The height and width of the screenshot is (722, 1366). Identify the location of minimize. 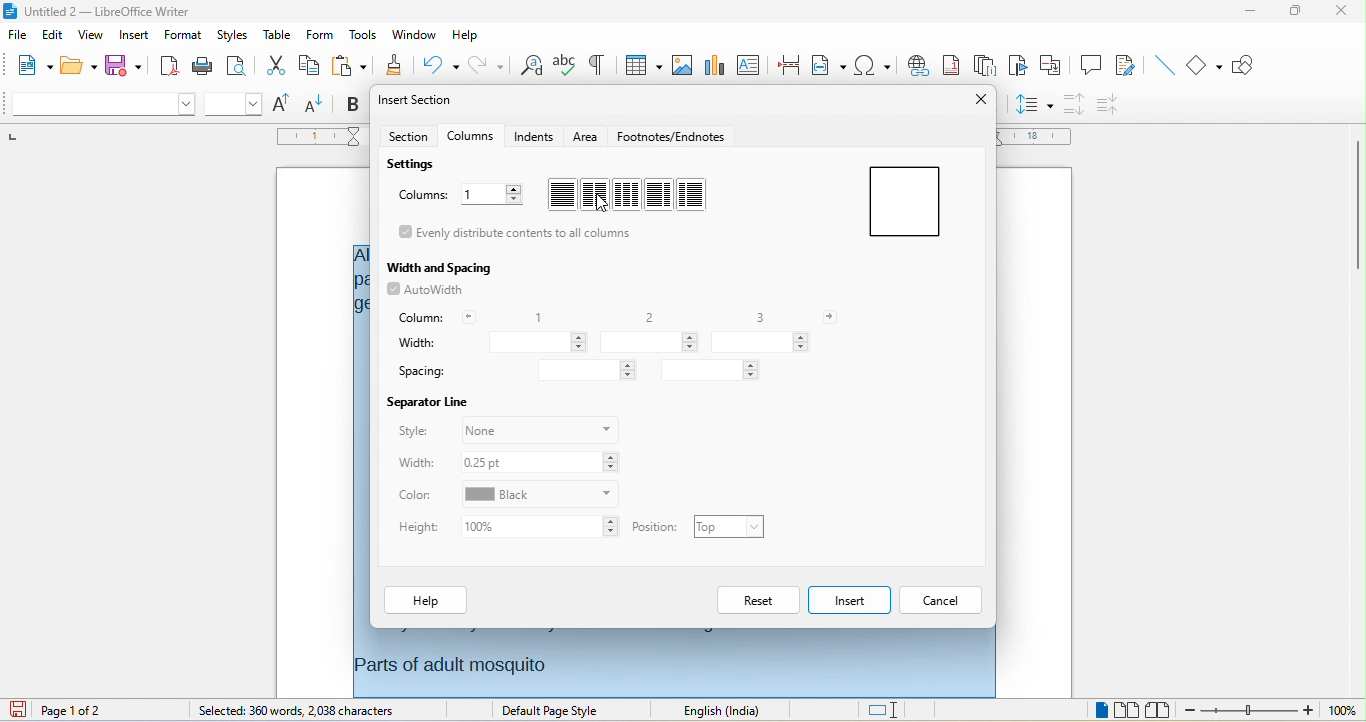
(1246, 13).